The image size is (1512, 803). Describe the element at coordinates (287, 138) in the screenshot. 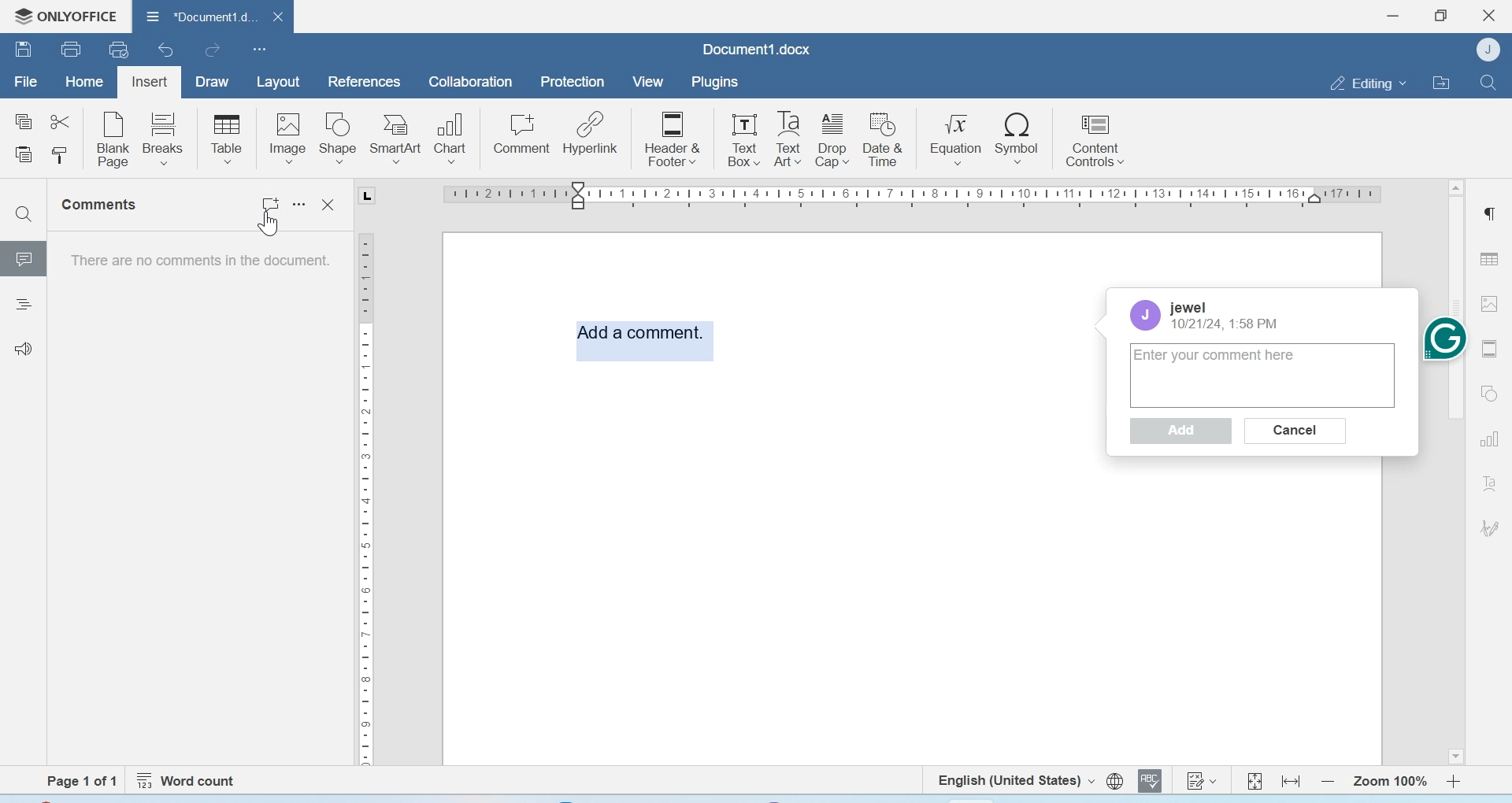

I see `Image` at that location.